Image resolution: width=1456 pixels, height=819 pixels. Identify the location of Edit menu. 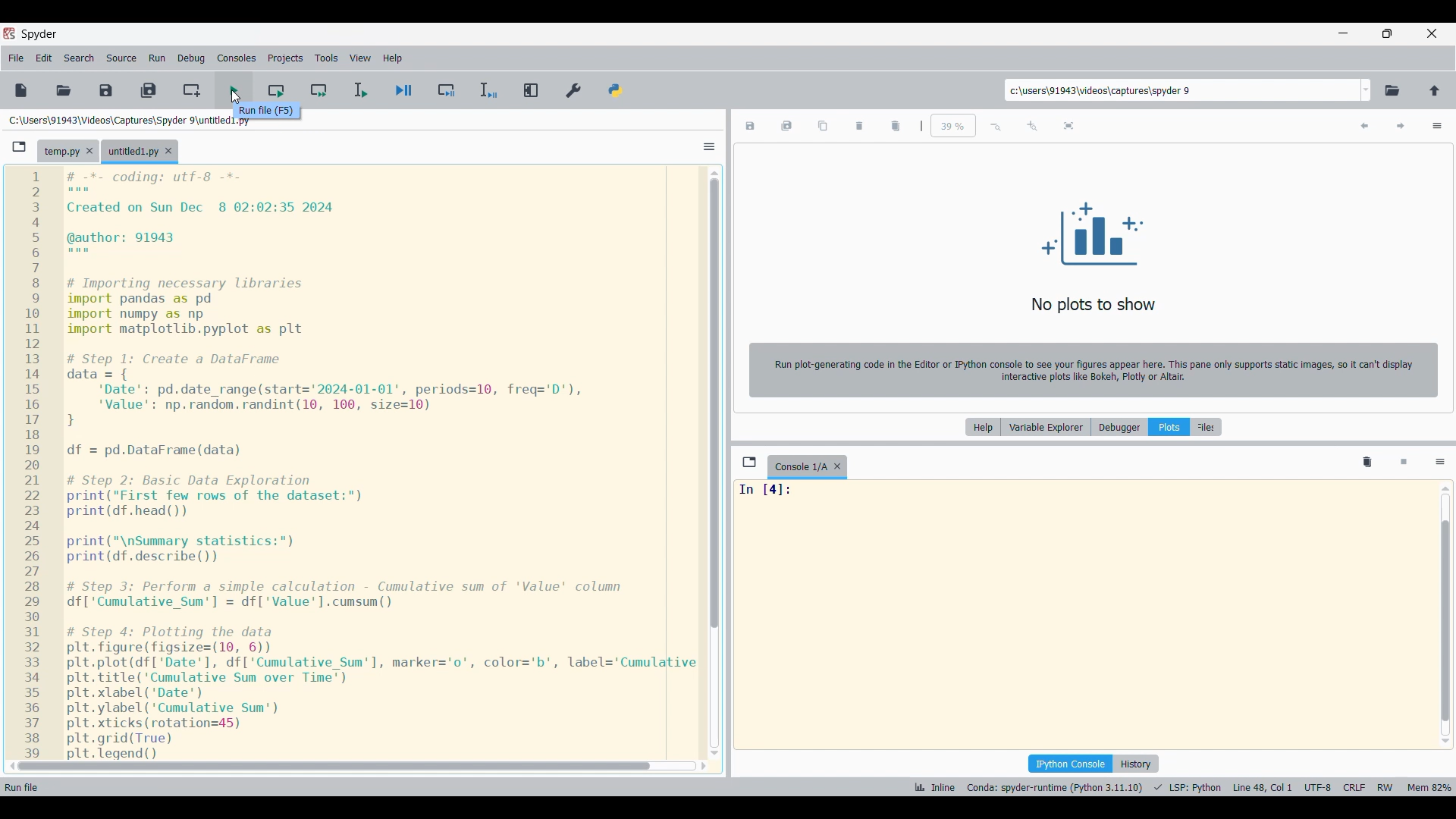
(45, 58).